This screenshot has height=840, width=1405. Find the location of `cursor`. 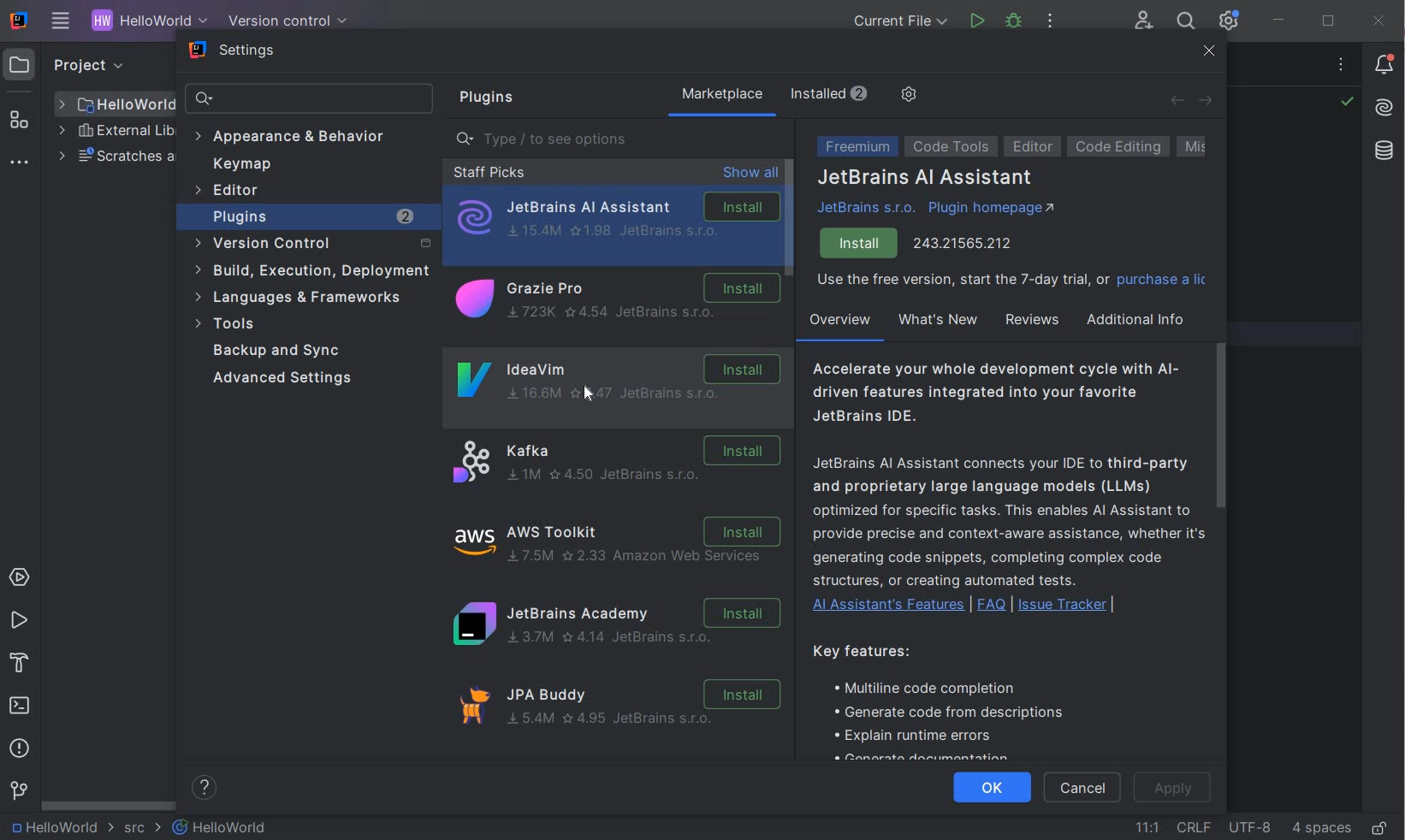

cursor is located at coordinates (590, 395).